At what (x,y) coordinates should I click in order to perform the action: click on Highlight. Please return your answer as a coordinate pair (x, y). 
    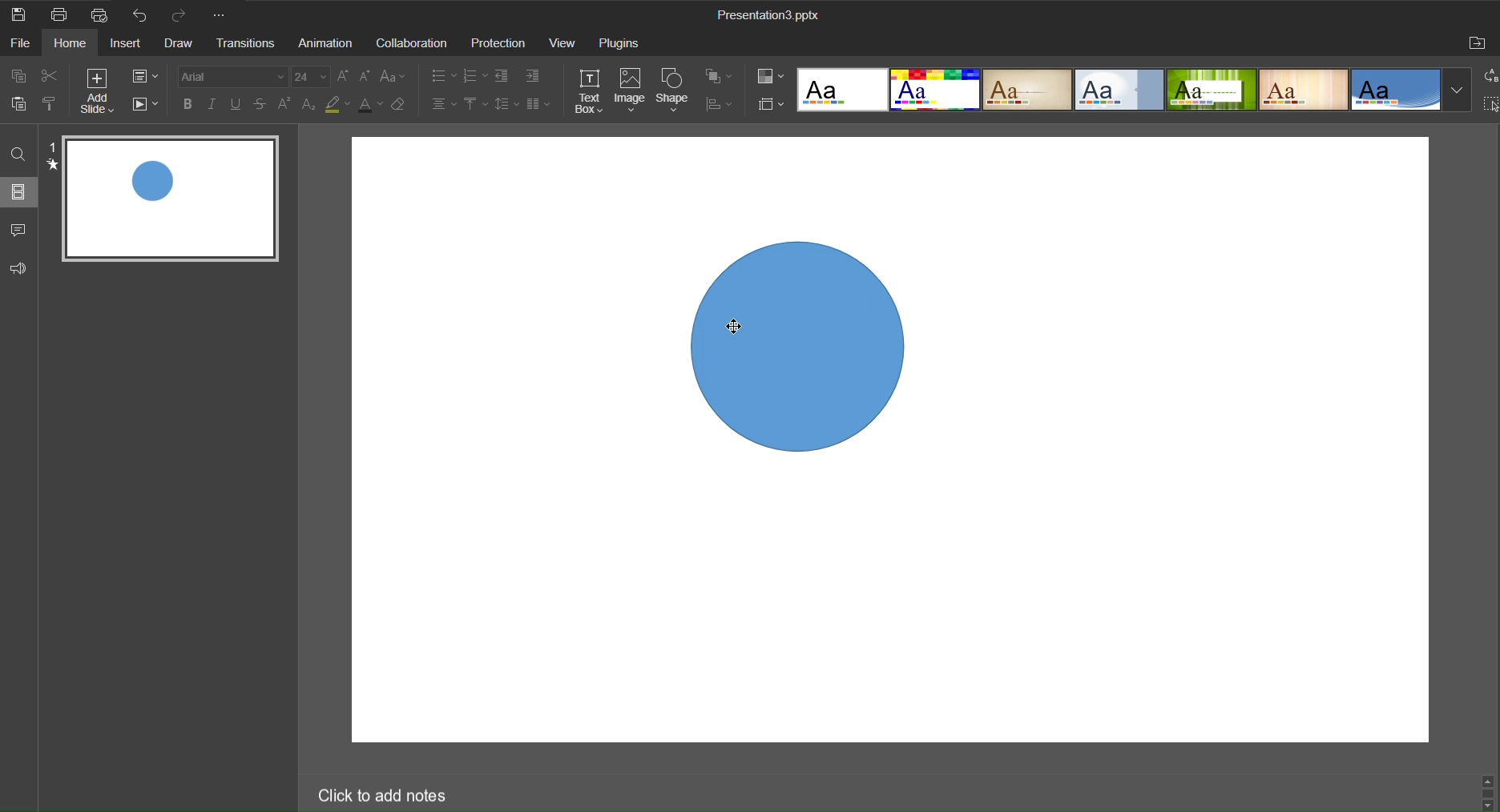
    Looking at the image, I should click on (337, 106).